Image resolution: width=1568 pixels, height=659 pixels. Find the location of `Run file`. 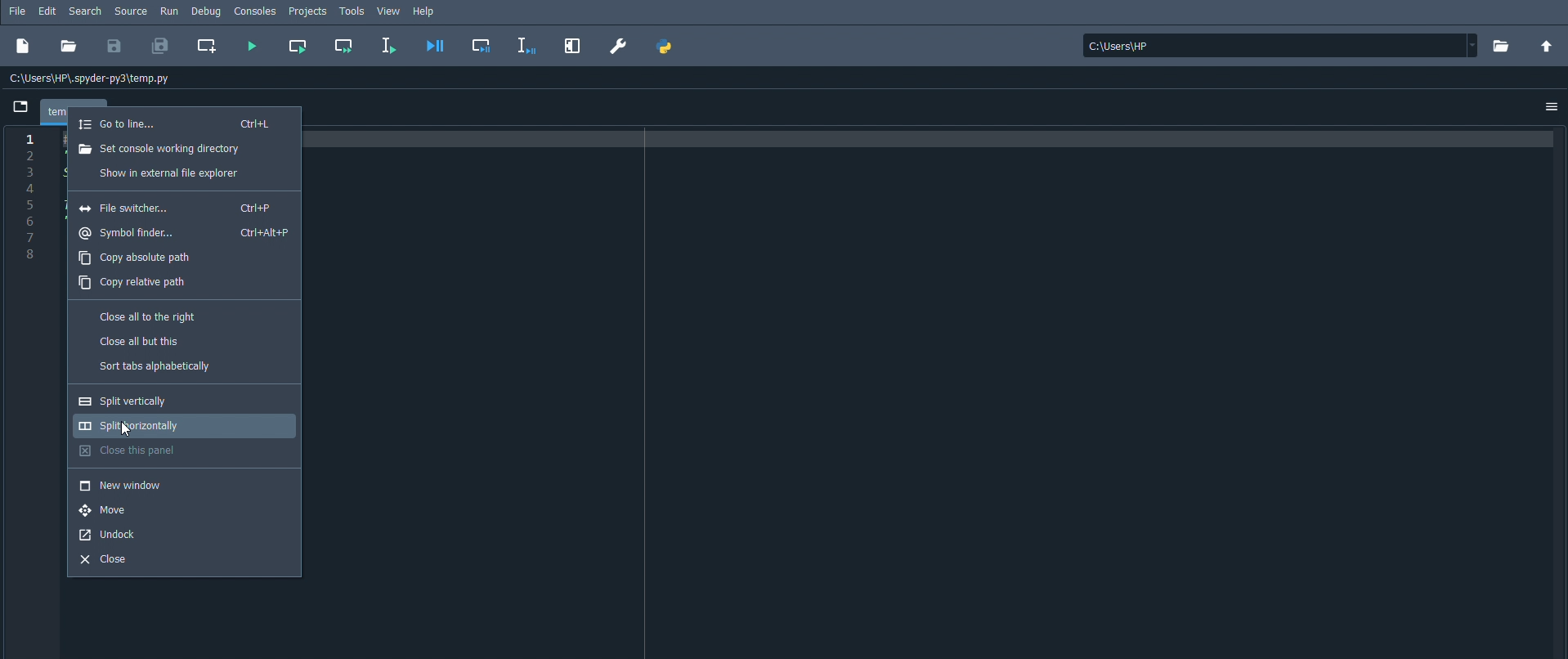

Run file is located at coordinates (253, 46).